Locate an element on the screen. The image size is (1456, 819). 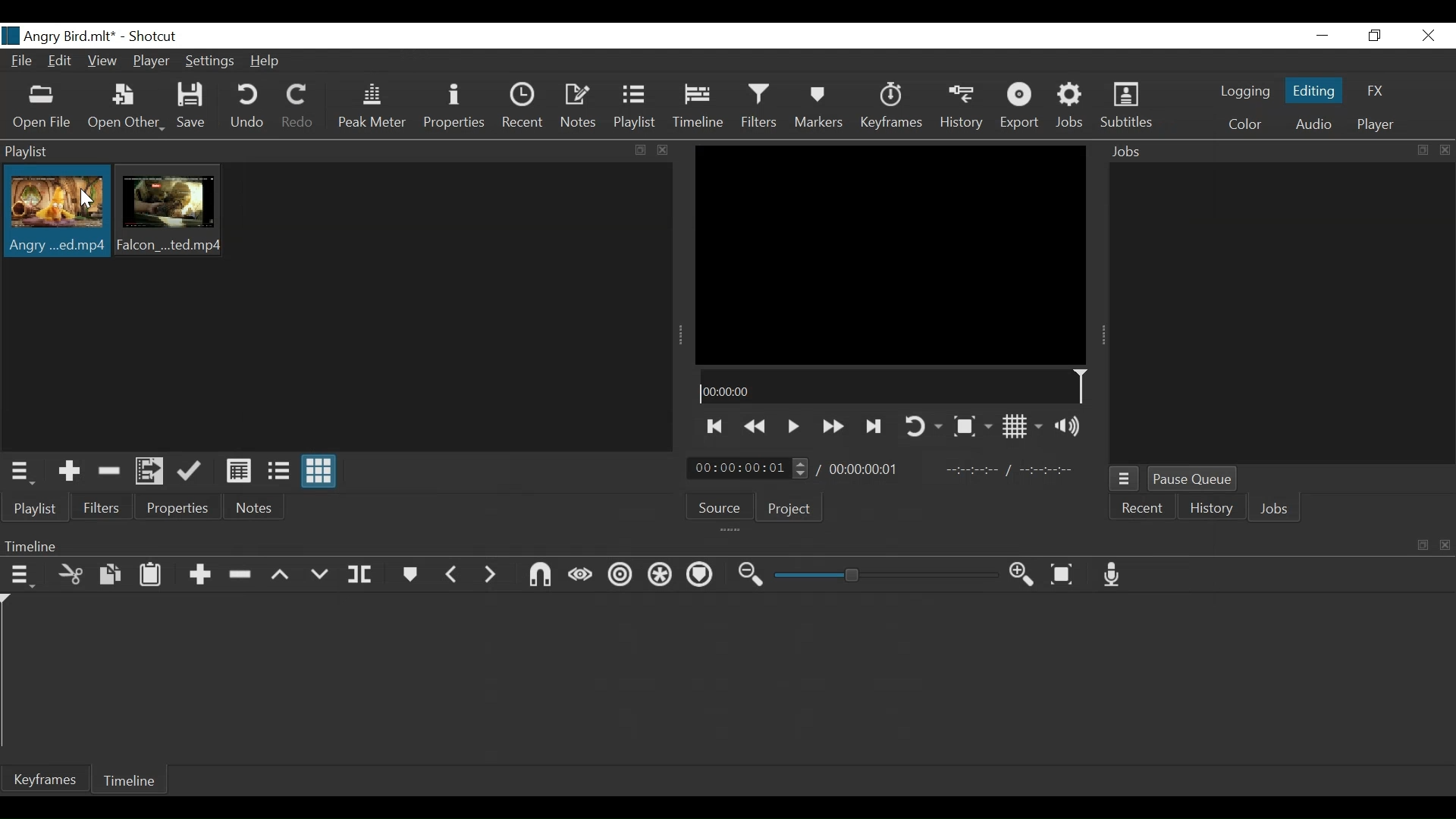
Player is located at coordinates (1377, 125).